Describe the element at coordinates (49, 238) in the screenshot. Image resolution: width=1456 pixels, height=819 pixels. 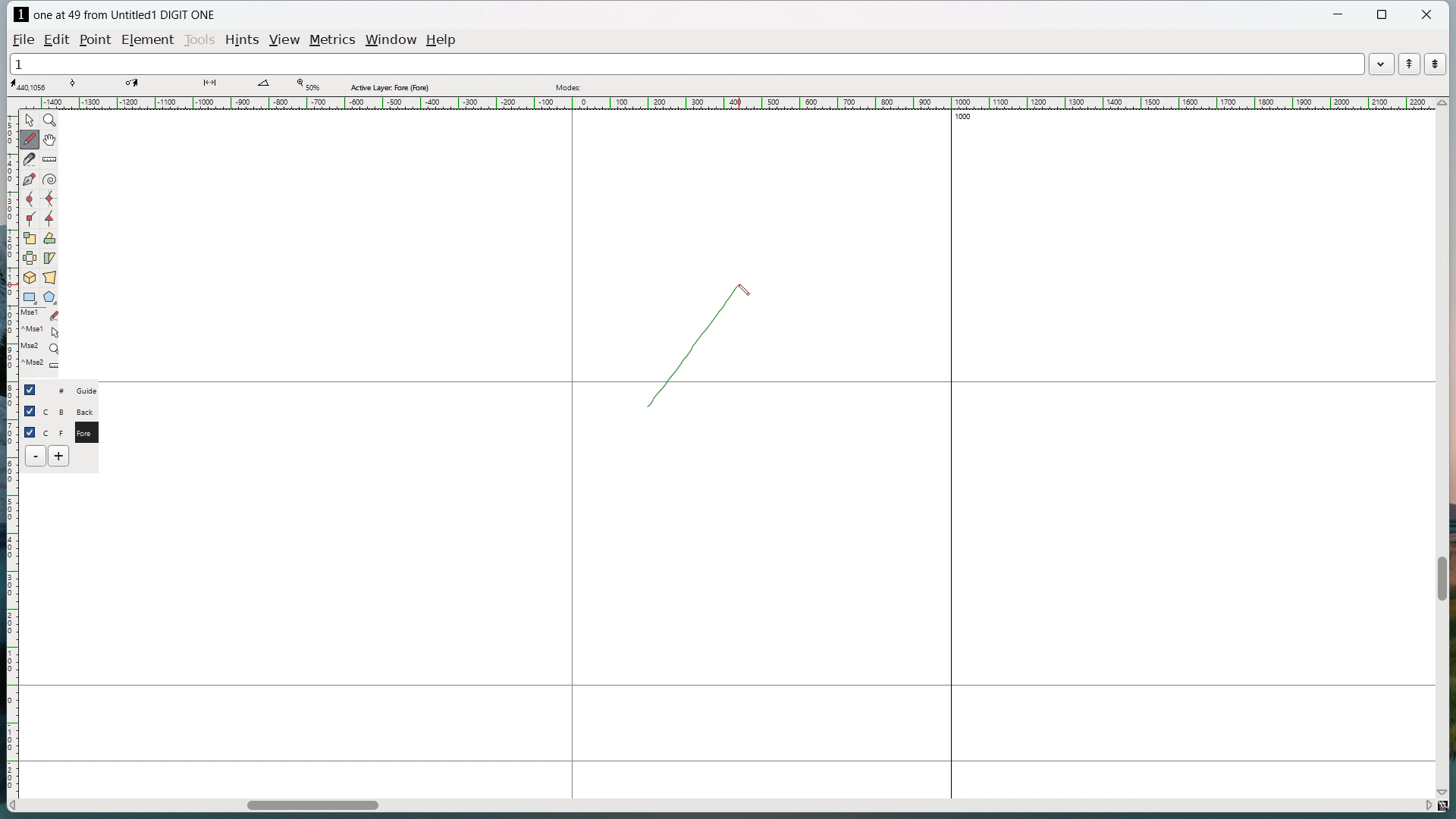
I see `rotate` at that location.